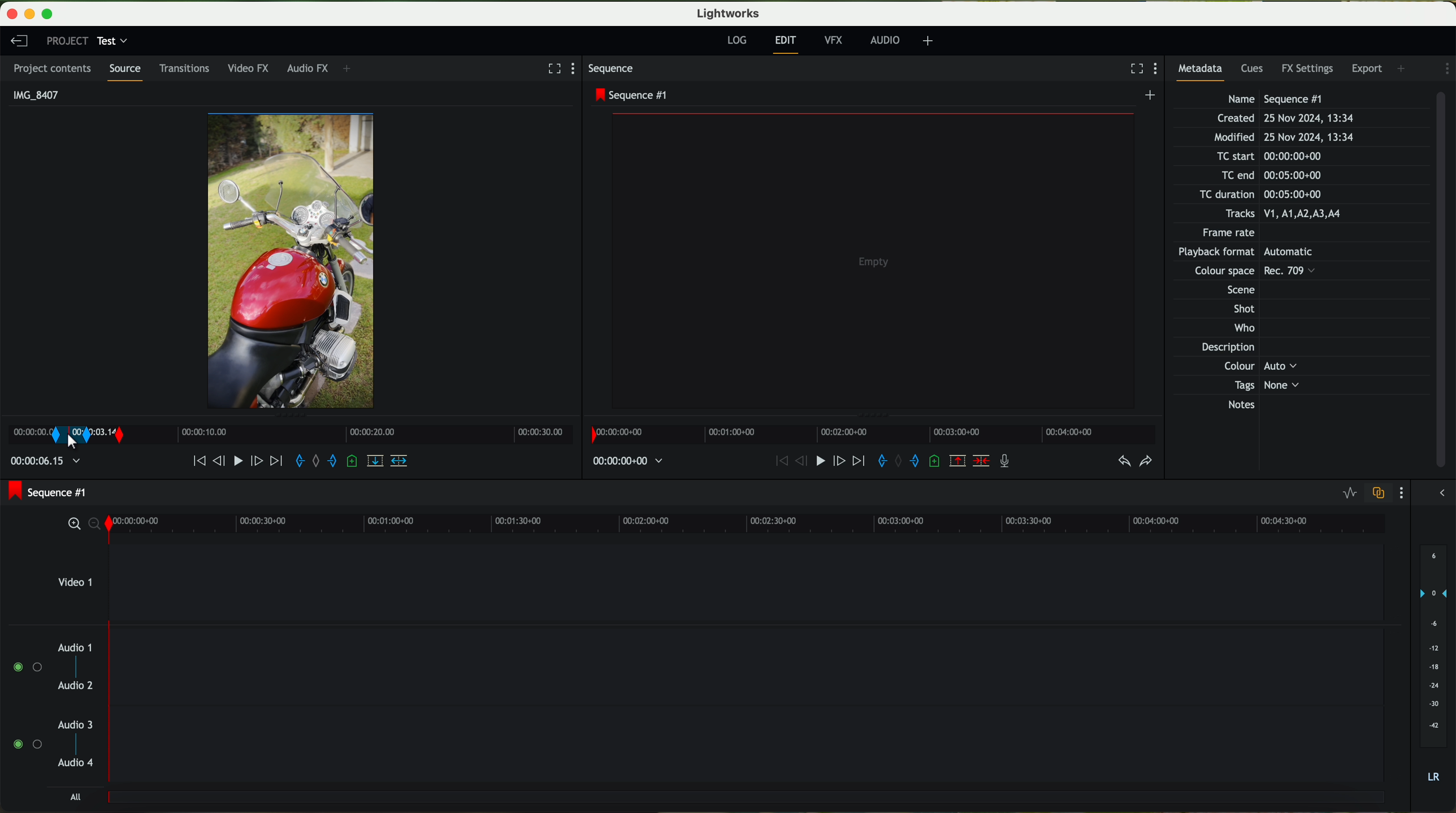 The image size is (1456, 813). I want to click on time, so click(630, 461).